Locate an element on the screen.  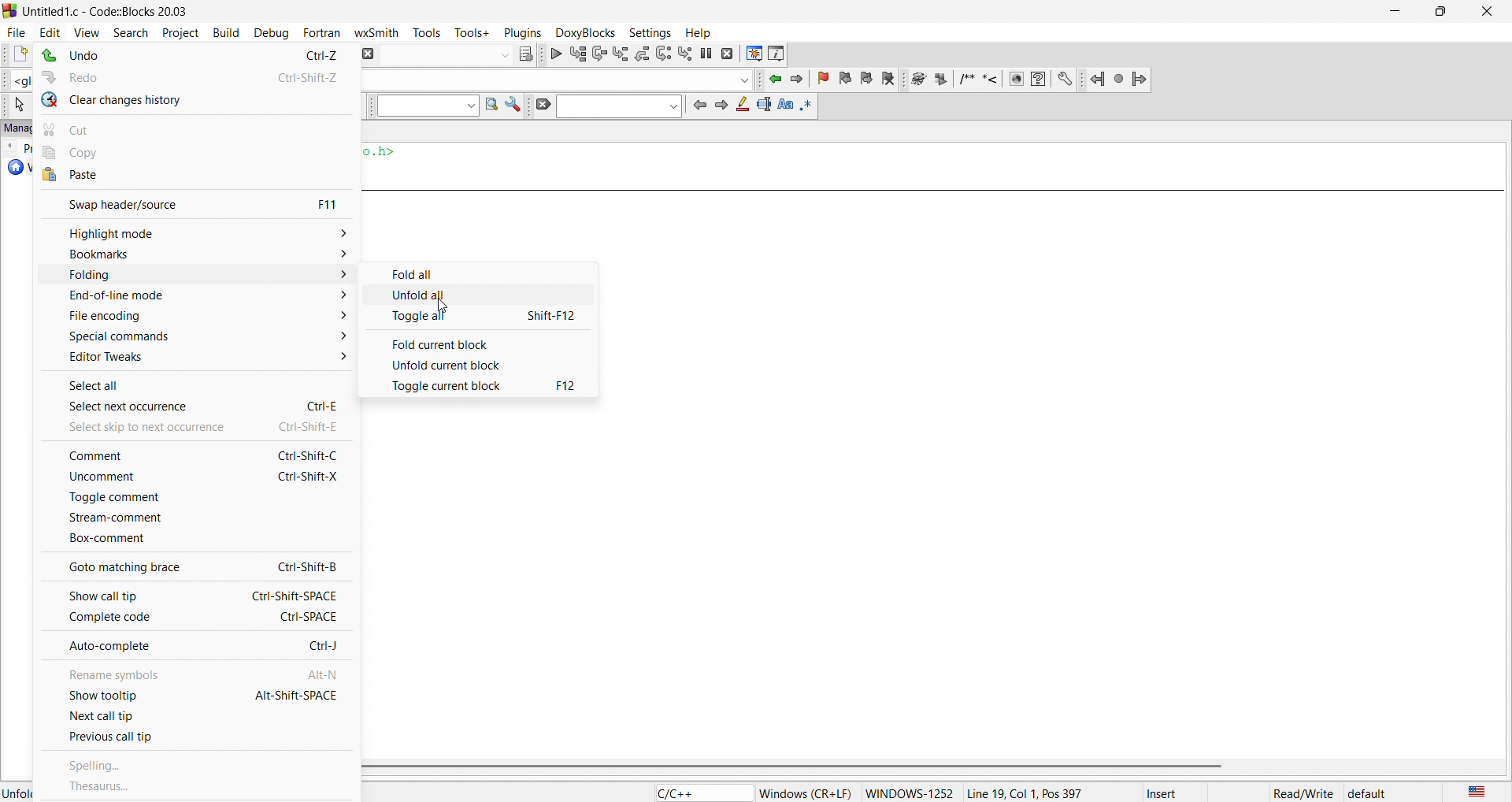
jump forward is located at coordinates (801, 79).